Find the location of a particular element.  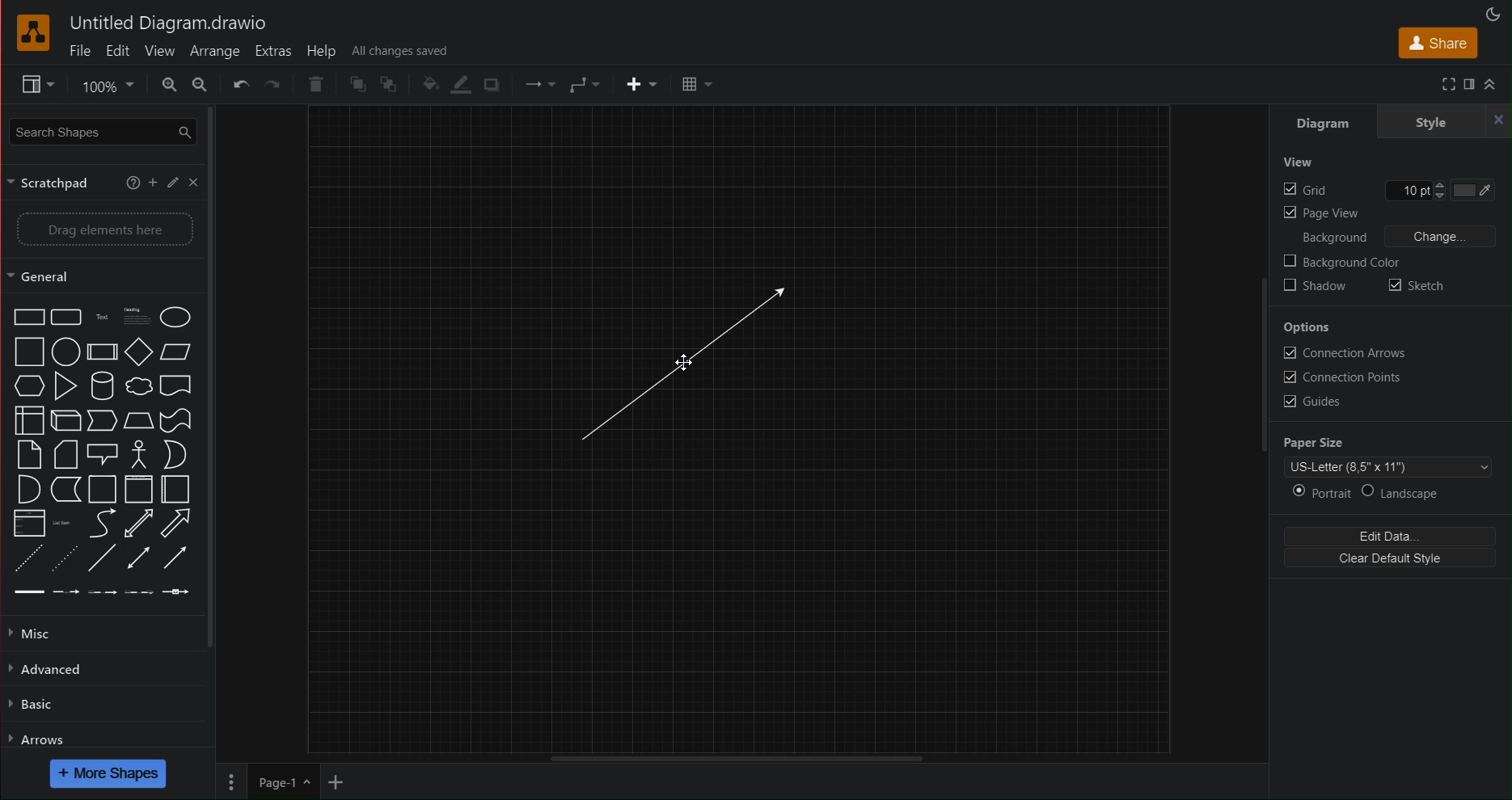

Annotation text is located at coordinates (1436, 84).